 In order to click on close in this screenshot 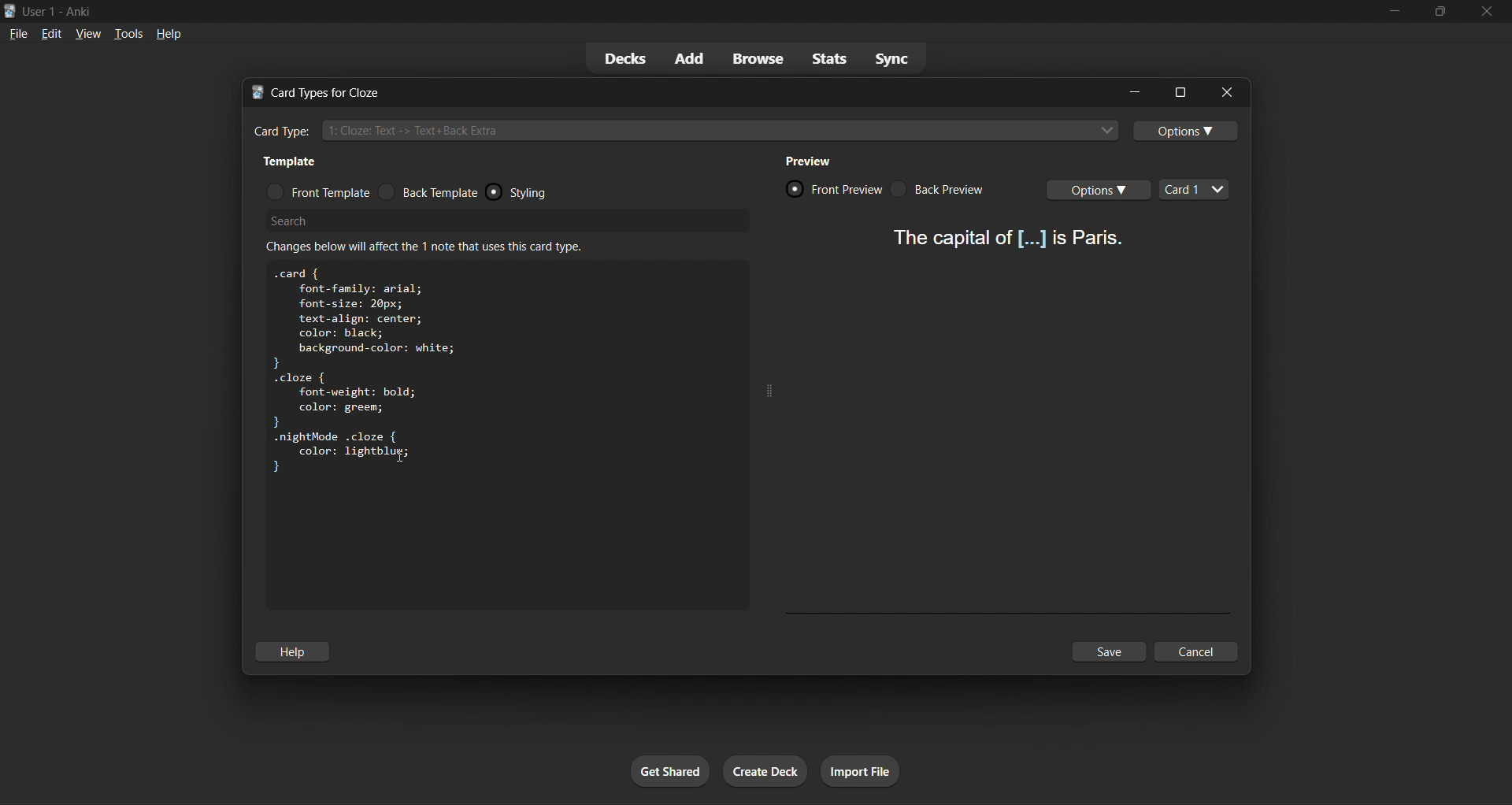, I will do `click(1220, 92)`.